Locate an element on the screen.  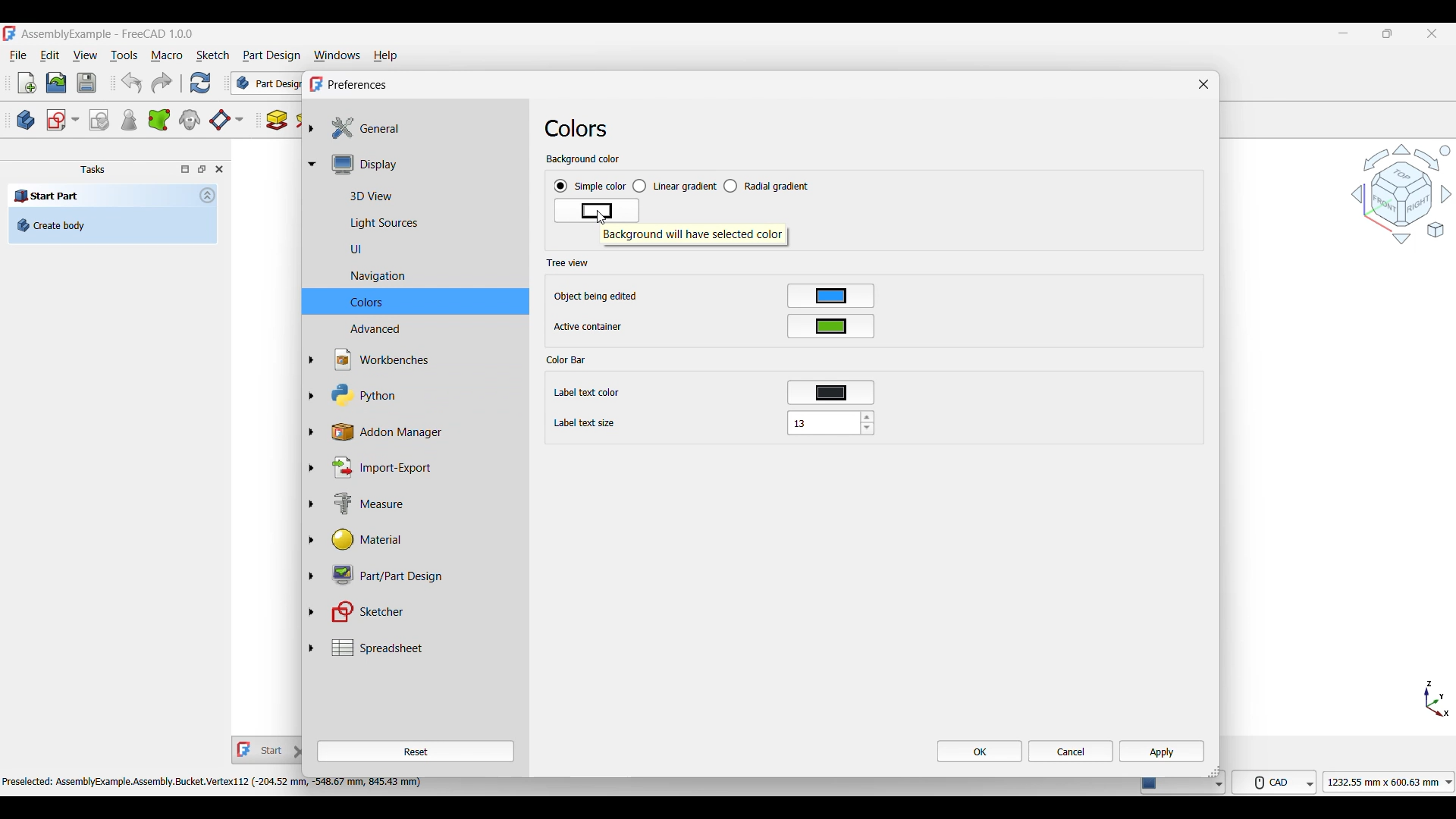
Refresh is located at coordinates (199, 83).